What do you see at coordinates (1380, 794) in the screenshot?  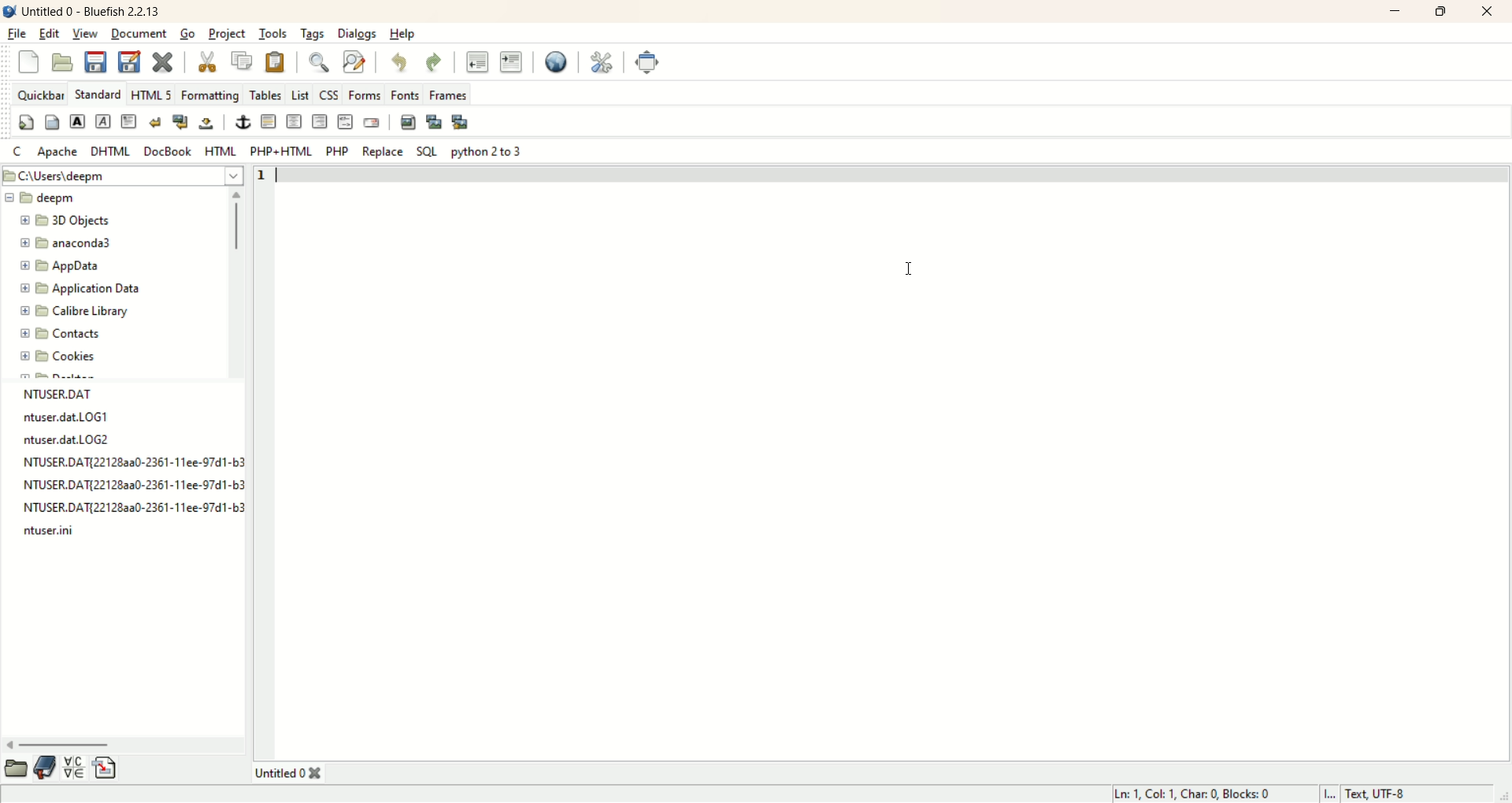 I see `text UTF-8` at bounding box center [1380, 794].